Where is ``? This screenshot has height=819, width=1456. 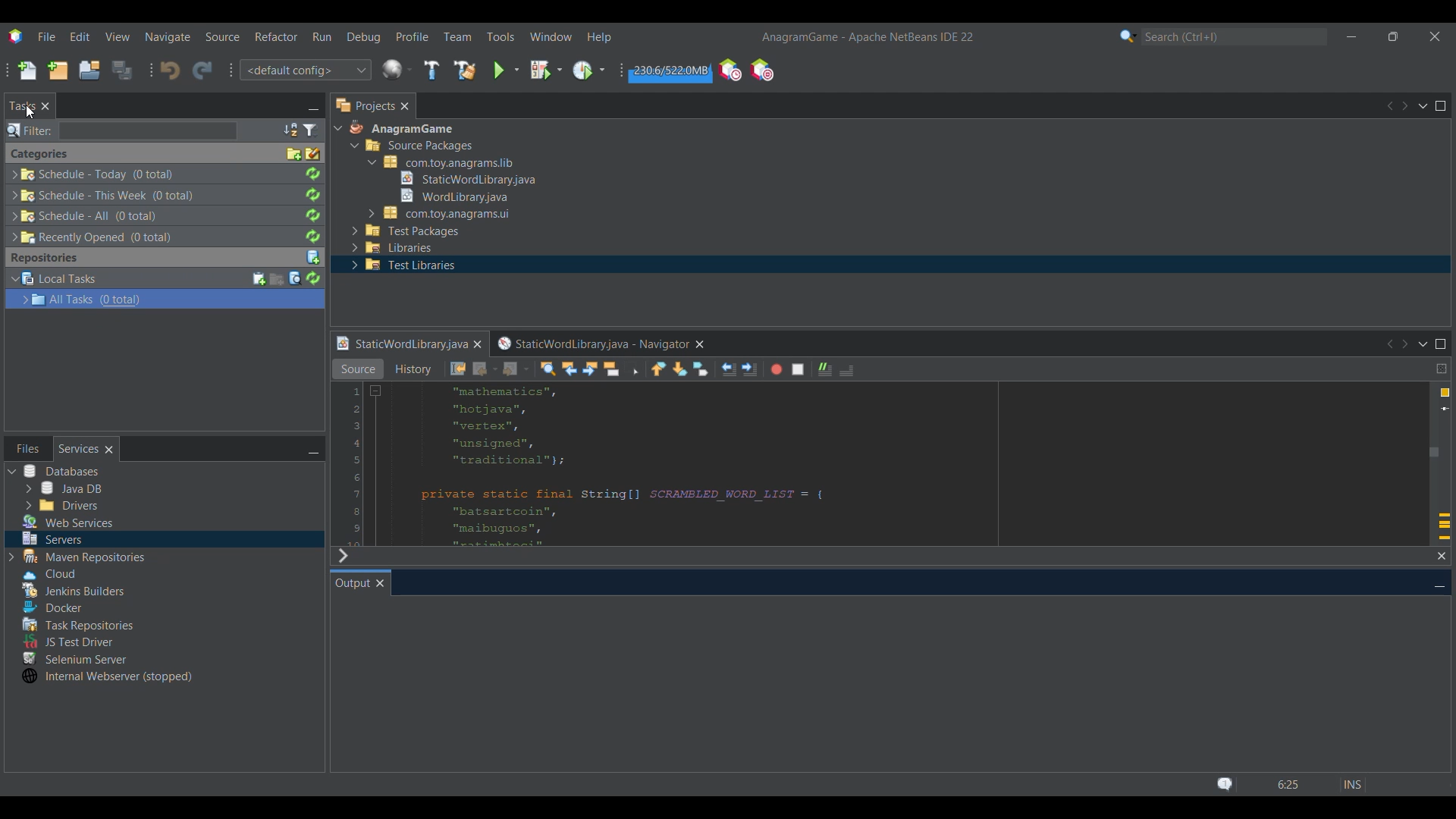
 is located at coordinates (89, 216).